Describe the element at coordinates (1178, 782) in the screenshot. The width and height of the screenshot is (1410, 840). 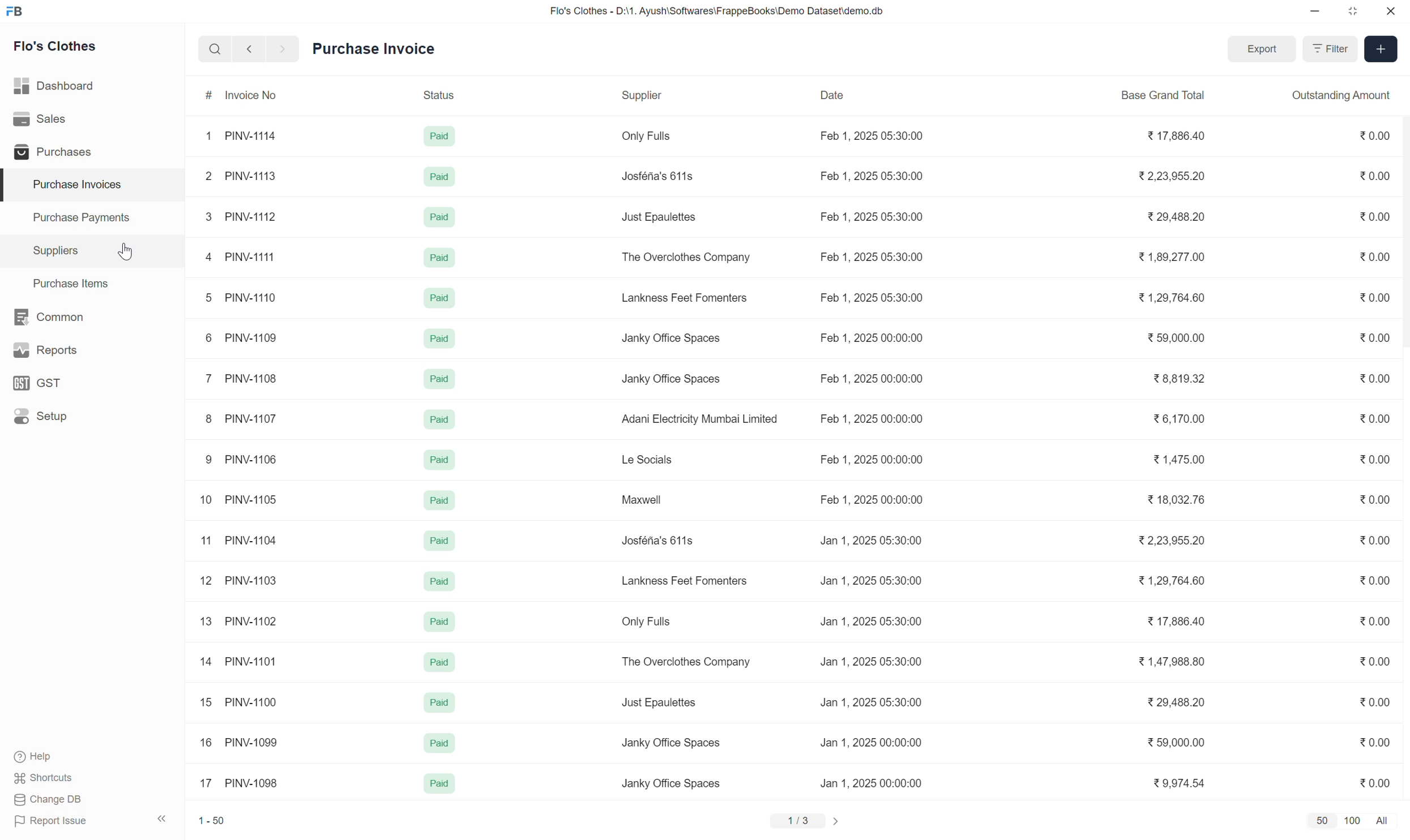
I see `9,974.54` at that location.